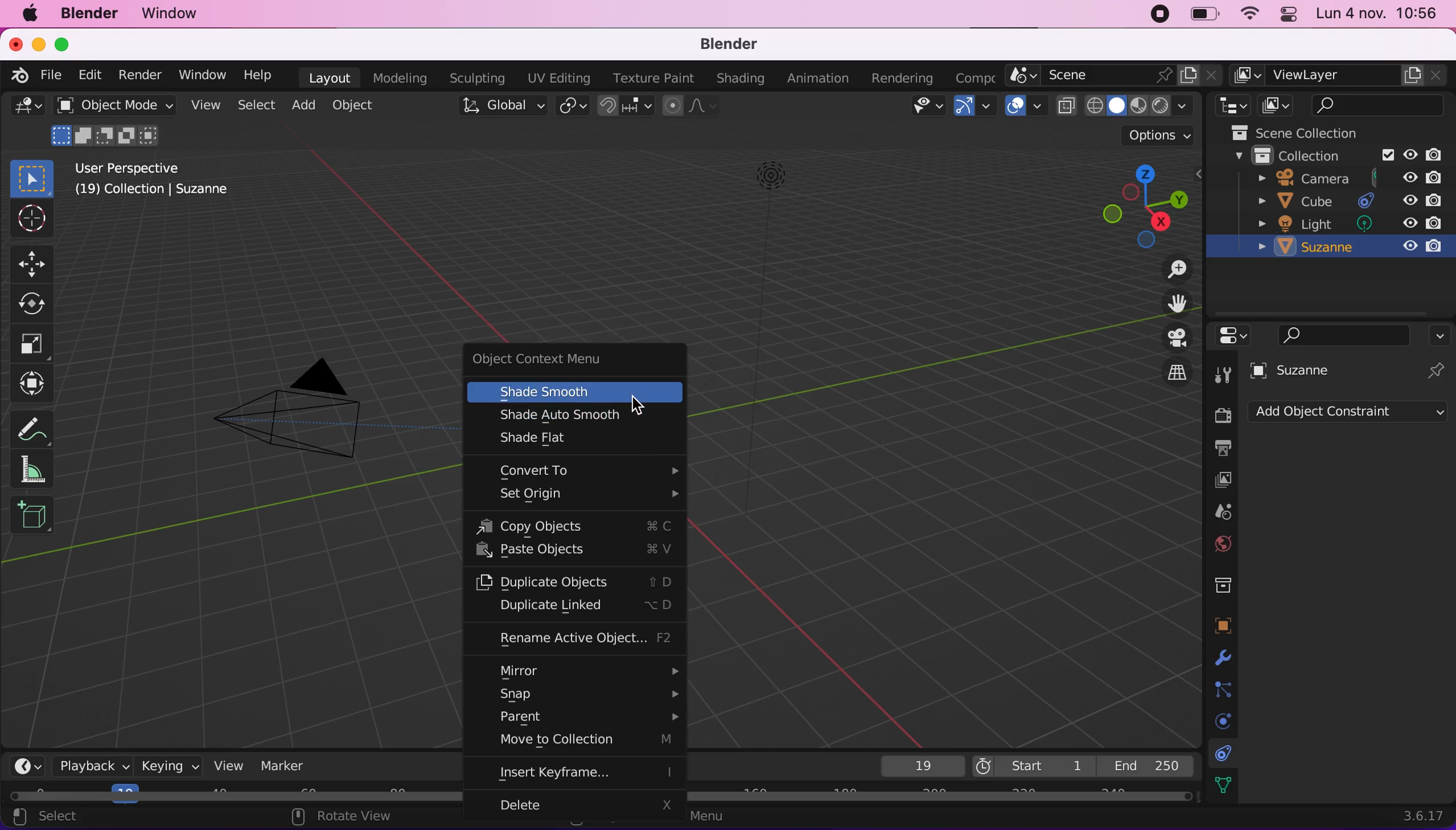 The image size is (1456, 830). Describe the element at coordinates (1377, 15) in the screenshot. I see `time and date` at that location.